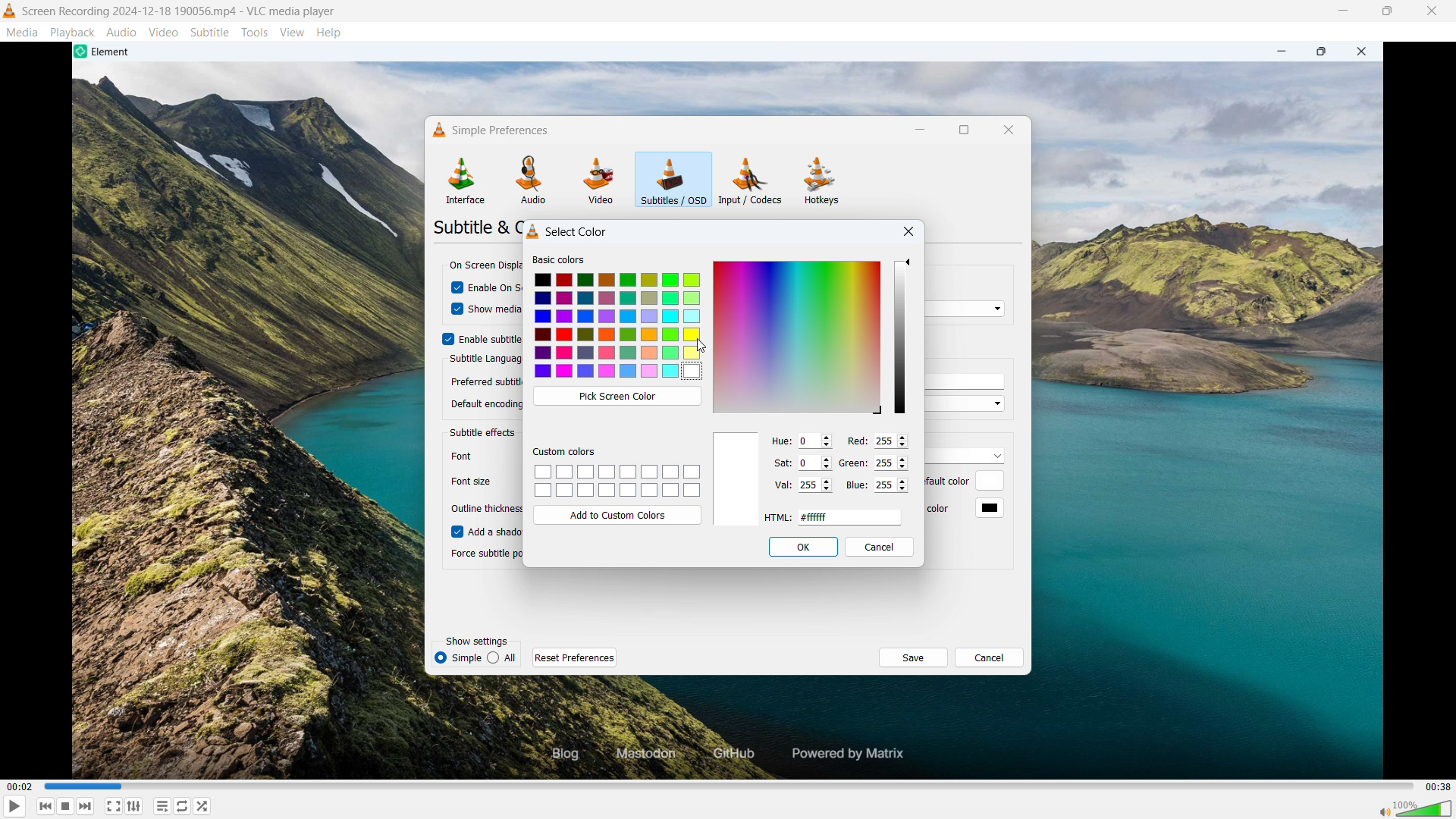 The height and width of the screenshot is (819, 1456). Describe the element at coordinates (210, 33) in the screenshot. I see `Subtitle ` at that location.